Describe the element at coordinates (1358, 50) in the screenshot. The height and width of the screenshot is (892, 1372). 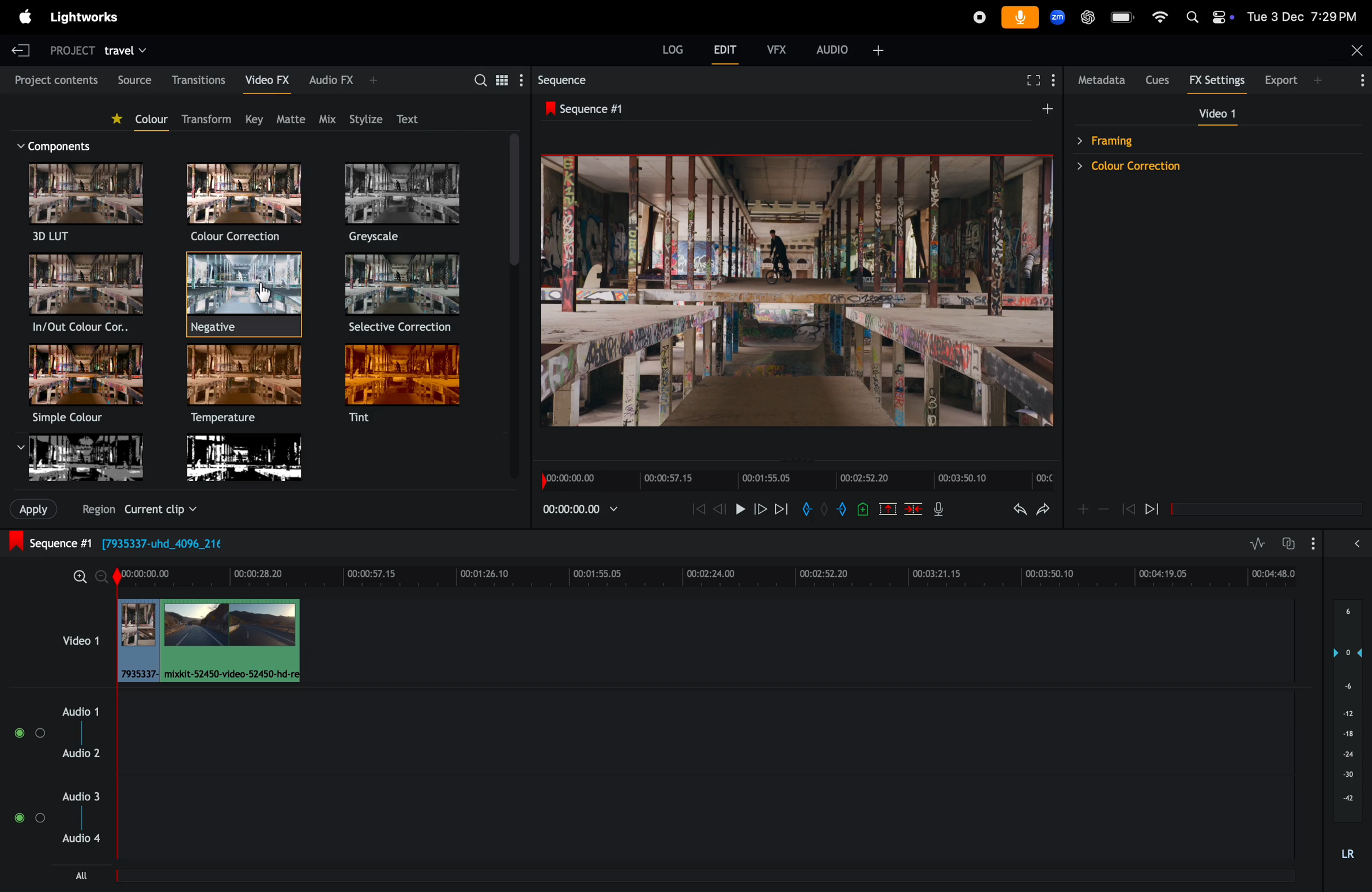
I see `Close` at that location.